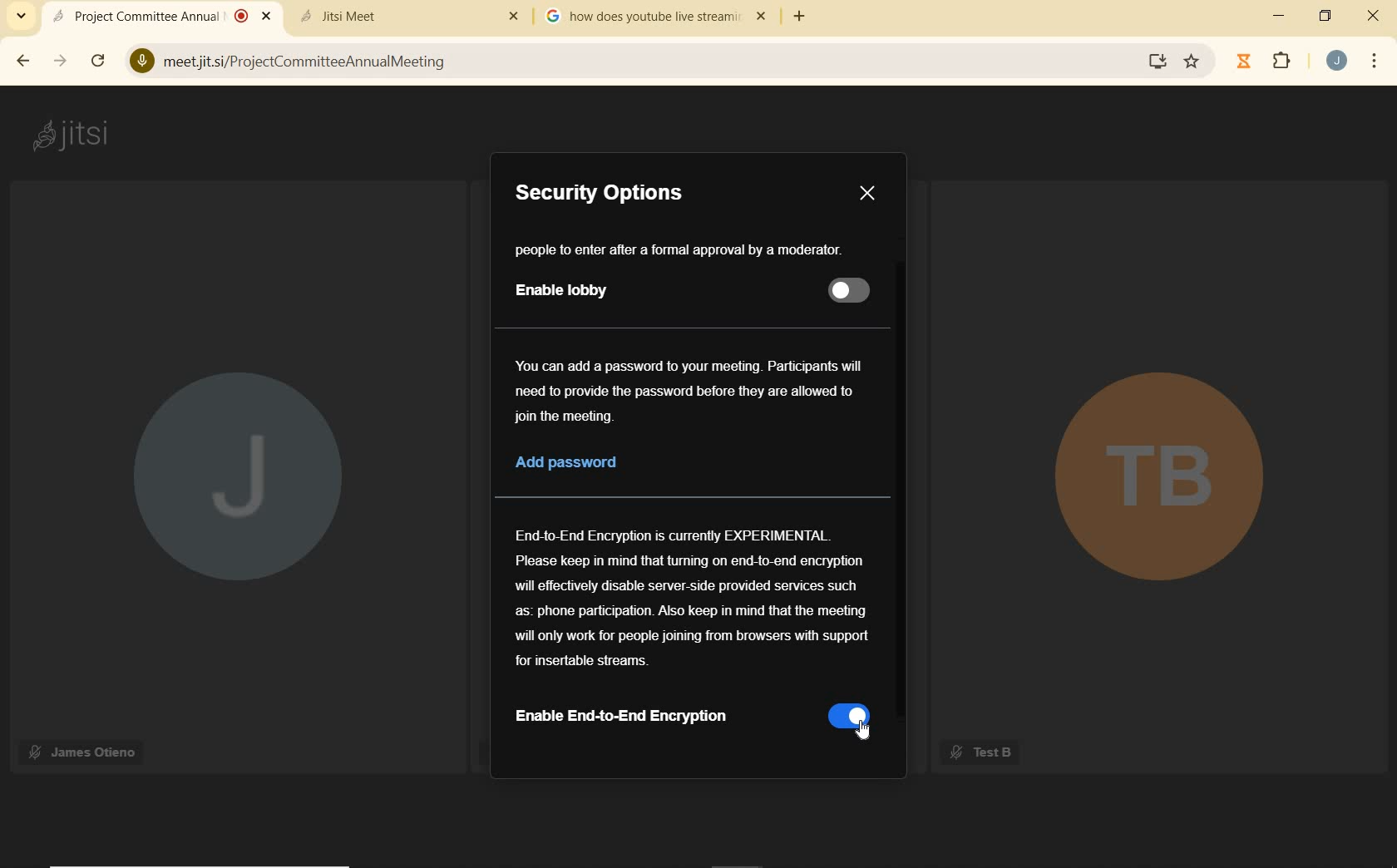 The image size is (1397, 868). What do you see at coordinates (659, 17) in the screenshot?
I see `how does youtube live stream` at bounding box center [659, 17].